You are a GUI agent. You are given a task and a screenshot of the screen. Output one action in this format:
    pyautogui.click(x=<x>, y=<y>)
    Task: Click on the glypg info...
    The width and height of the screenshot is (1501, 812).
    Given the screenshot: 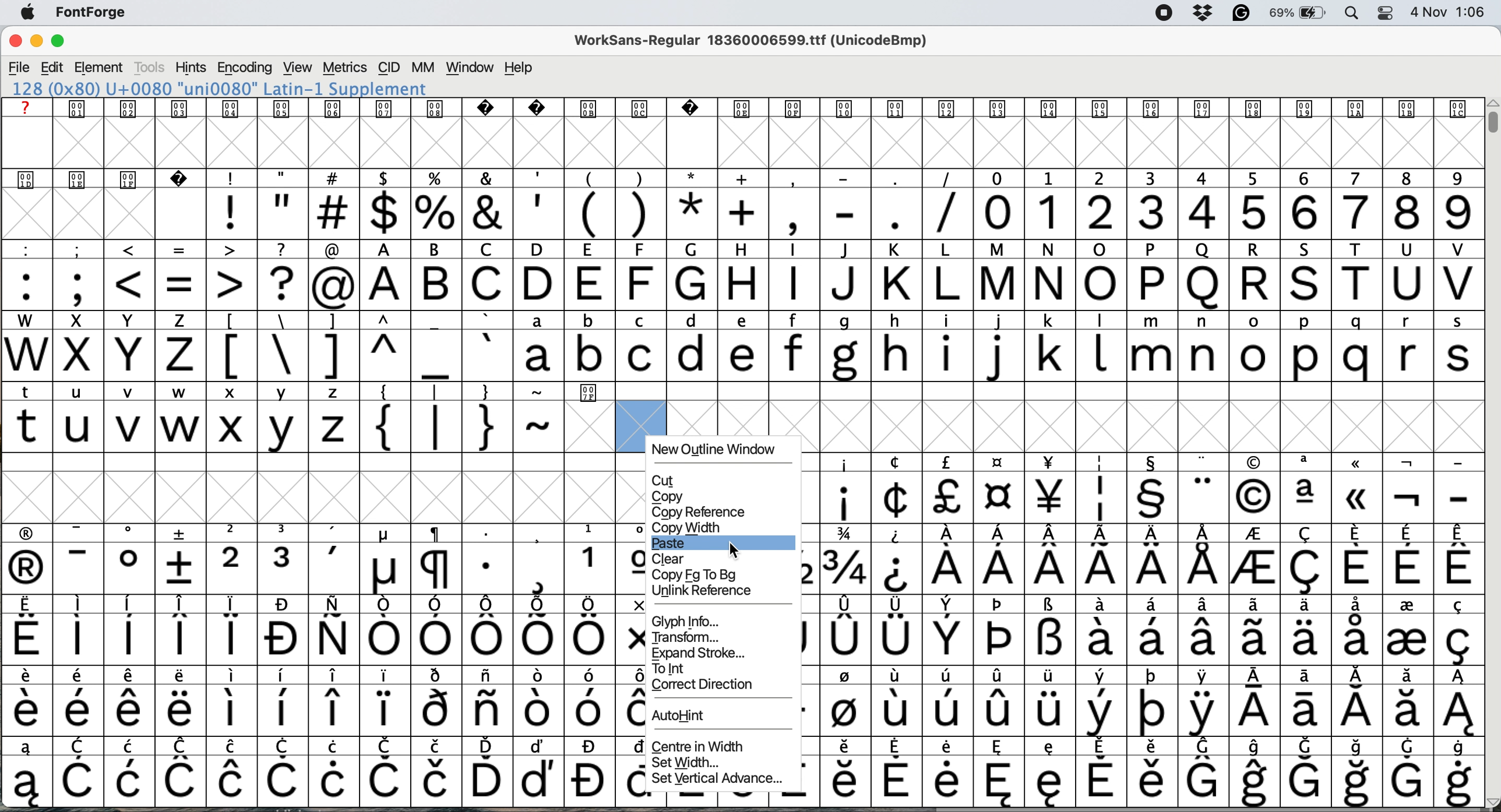 What is the action you would take?
    pyautogui.click(x=689, y=622)
    